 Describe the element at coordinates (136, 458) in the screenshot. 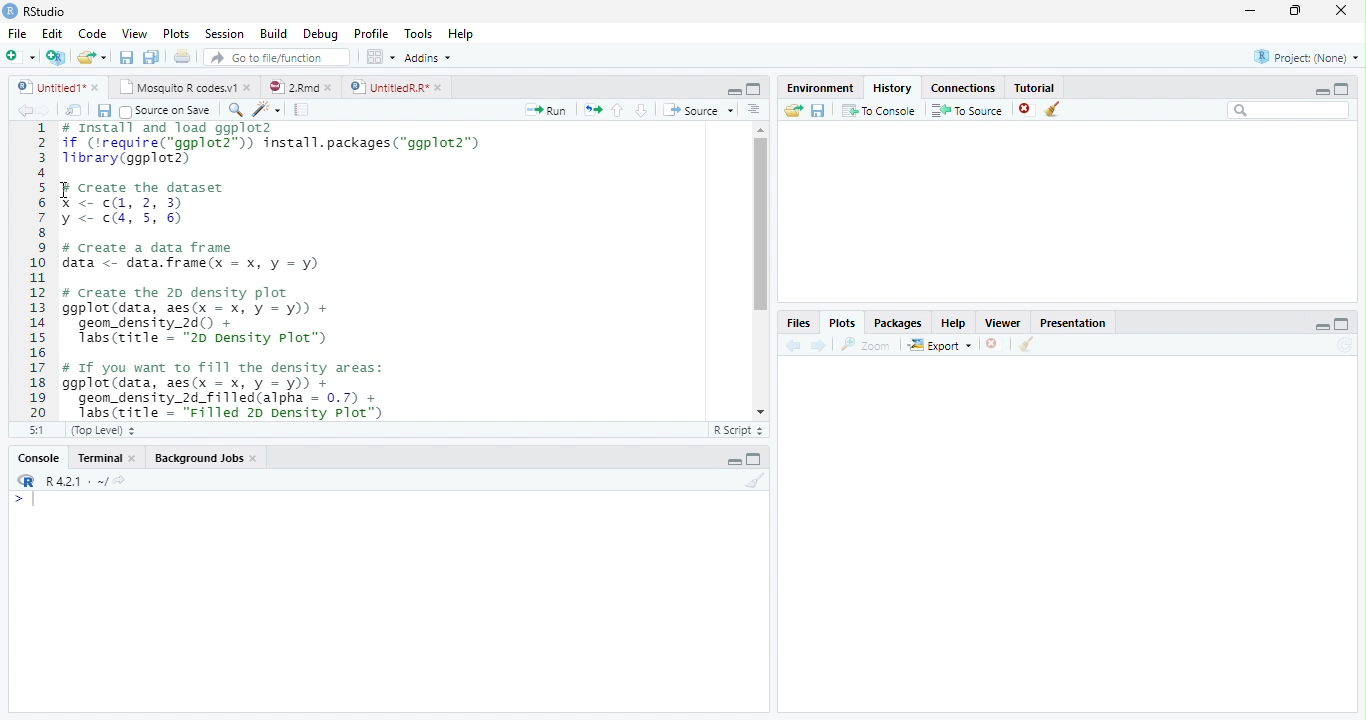

I see `close` at that location.